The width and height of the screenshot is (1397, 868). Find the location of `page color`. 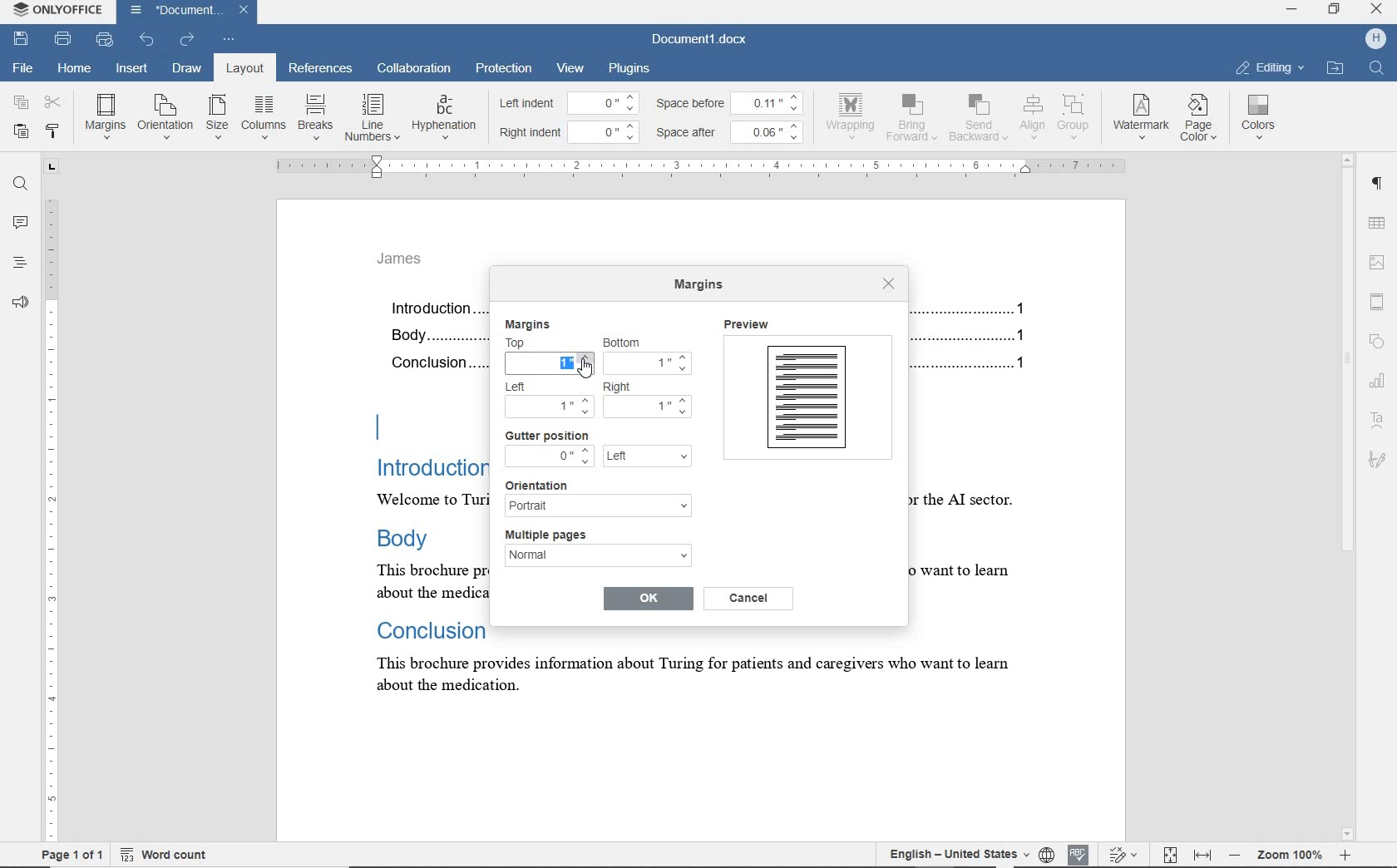

page color is located at coordinates (1202, 120).